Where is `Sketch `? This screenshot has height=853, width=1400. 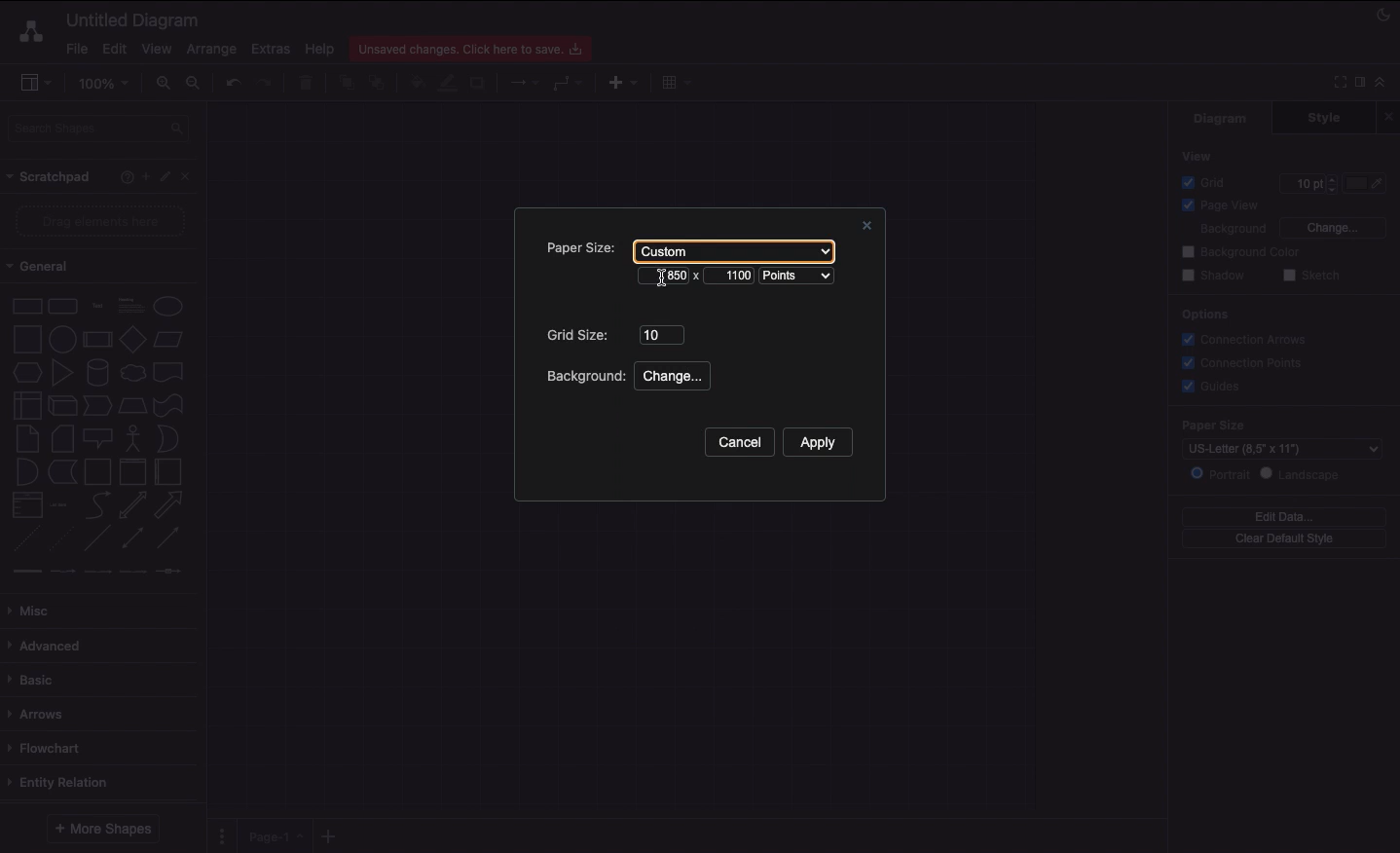
Sketch  is located at coordinates (1312, 277).